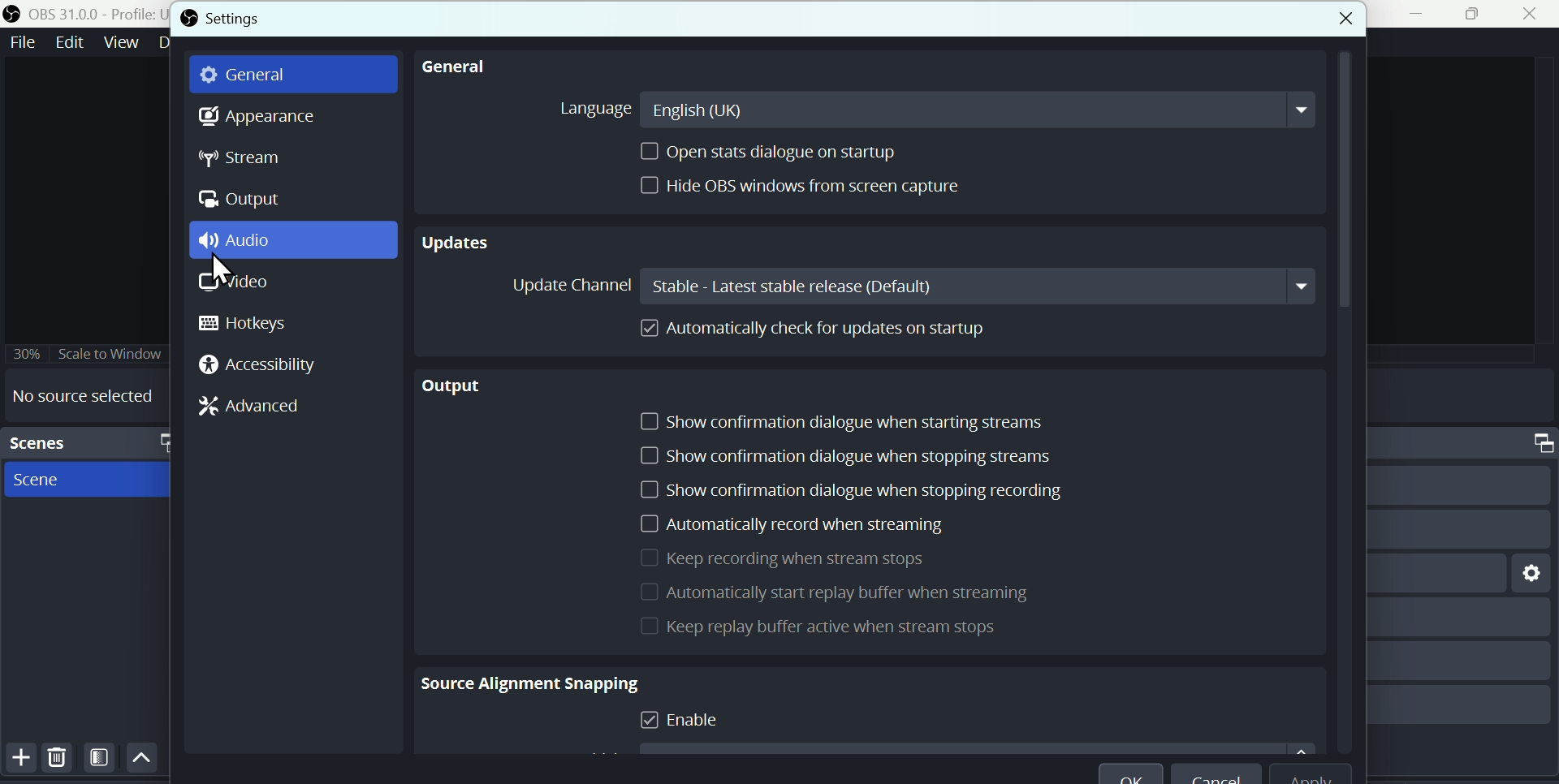 This screenshot has width=1559, height=784. What do you see at coordinates (801, 187) in the screenshot?
I see `hydro bs window` at bounding box center [801, 187].